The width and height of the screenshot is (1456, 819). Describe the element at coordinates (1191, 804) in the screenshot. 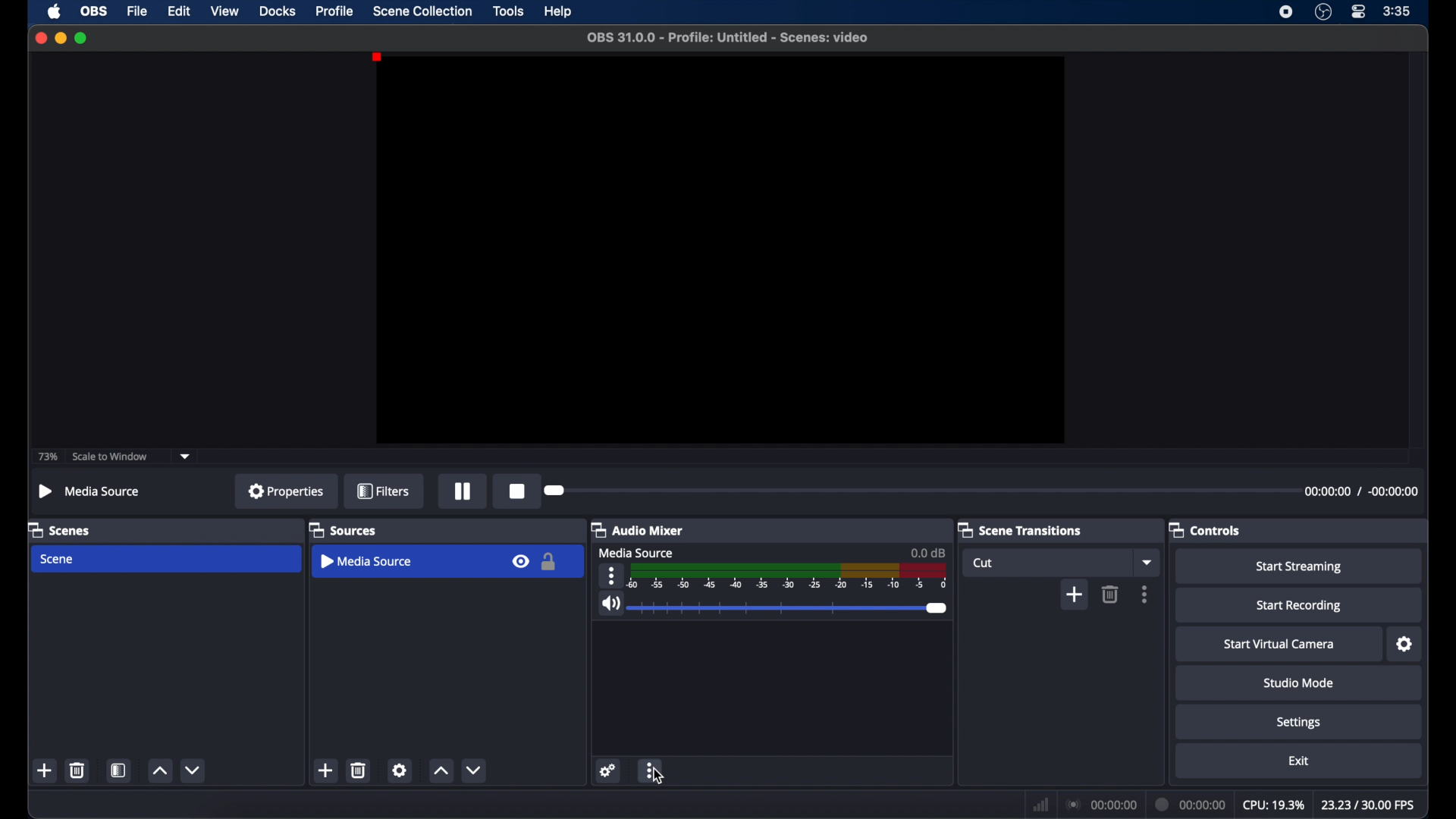

I see `duration` at that location.